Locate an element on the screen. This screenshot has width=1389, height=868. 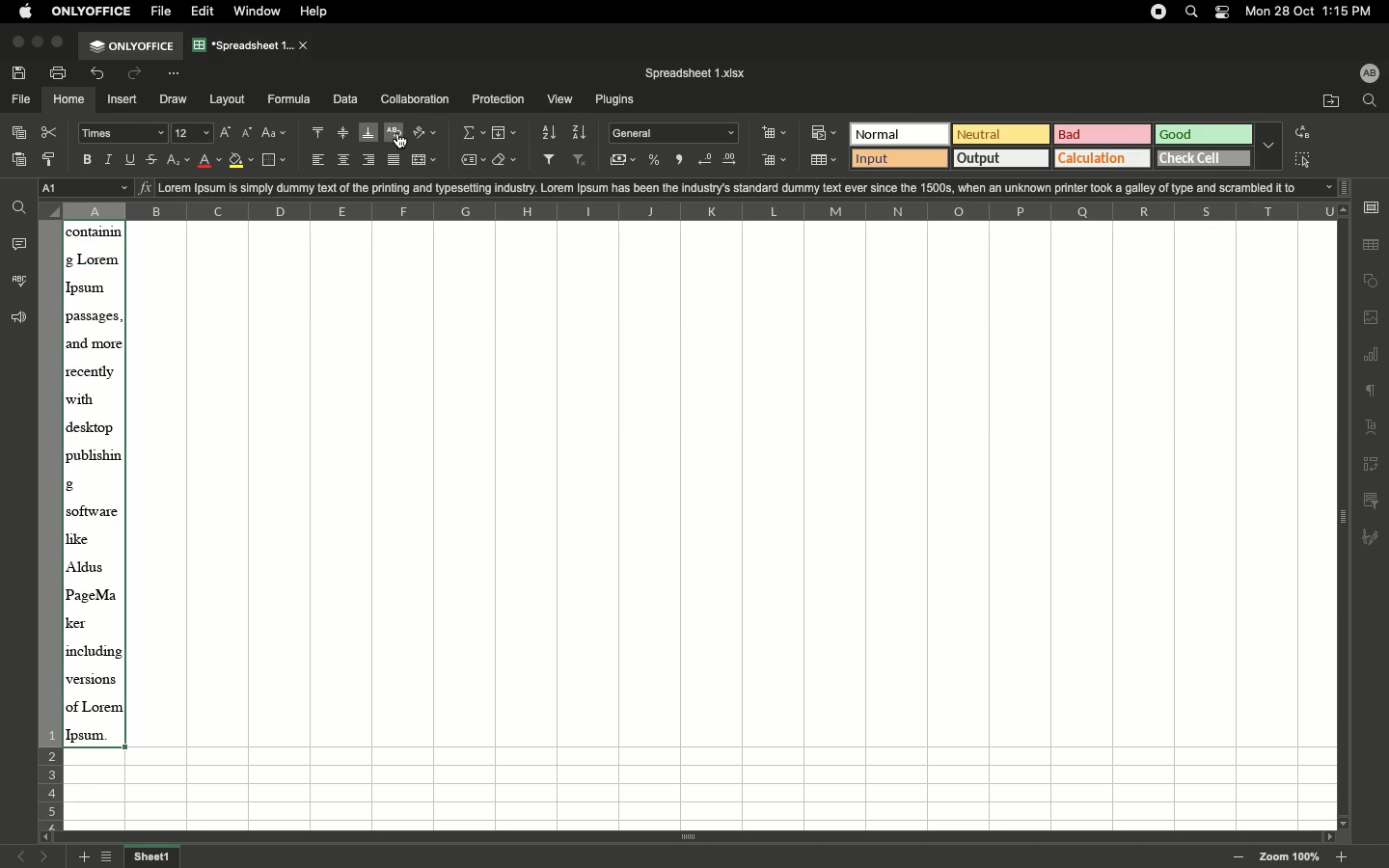
Increase font size is located at coordinates (227, 133).